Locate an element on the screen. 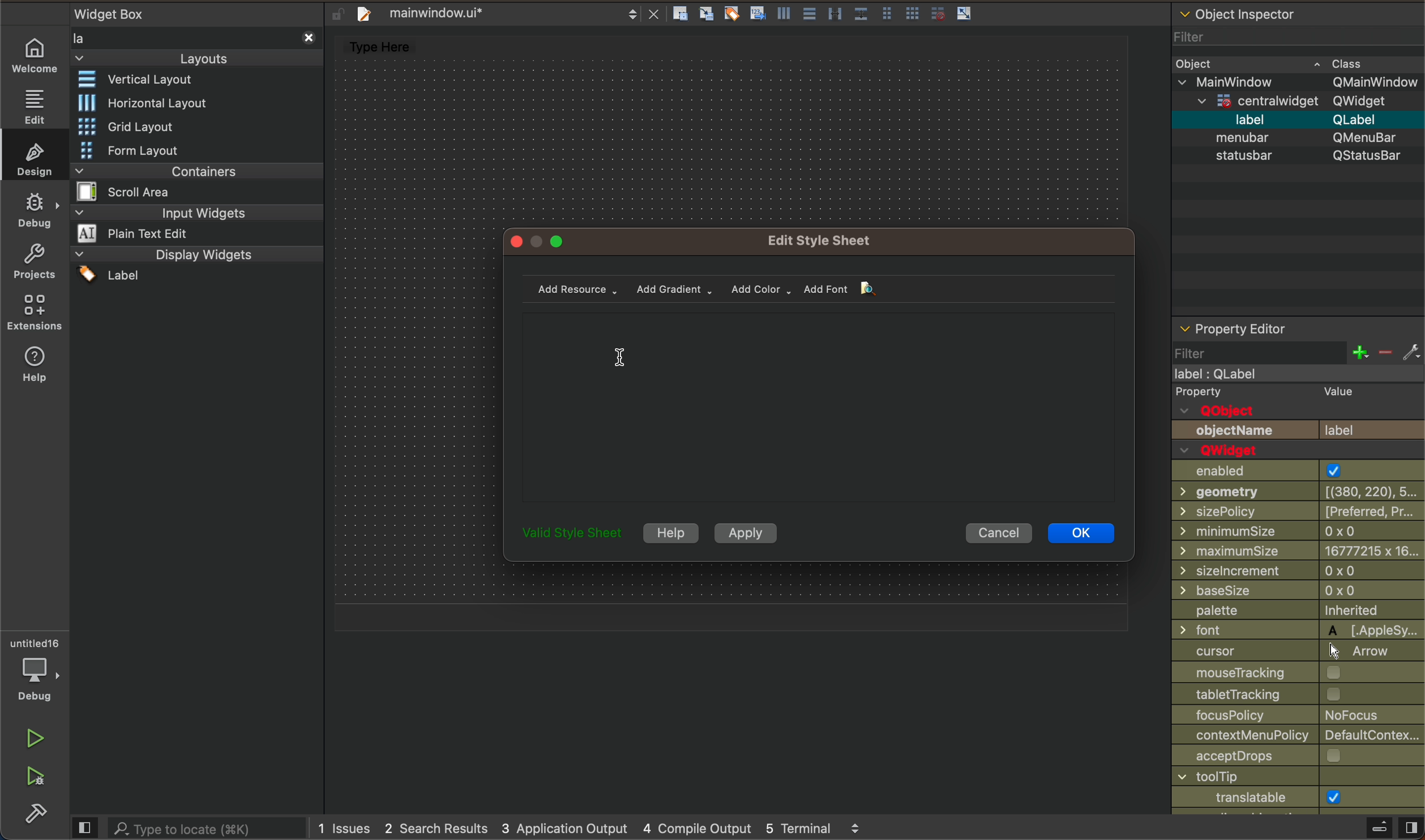  property is located at coordinates (1296, 393).